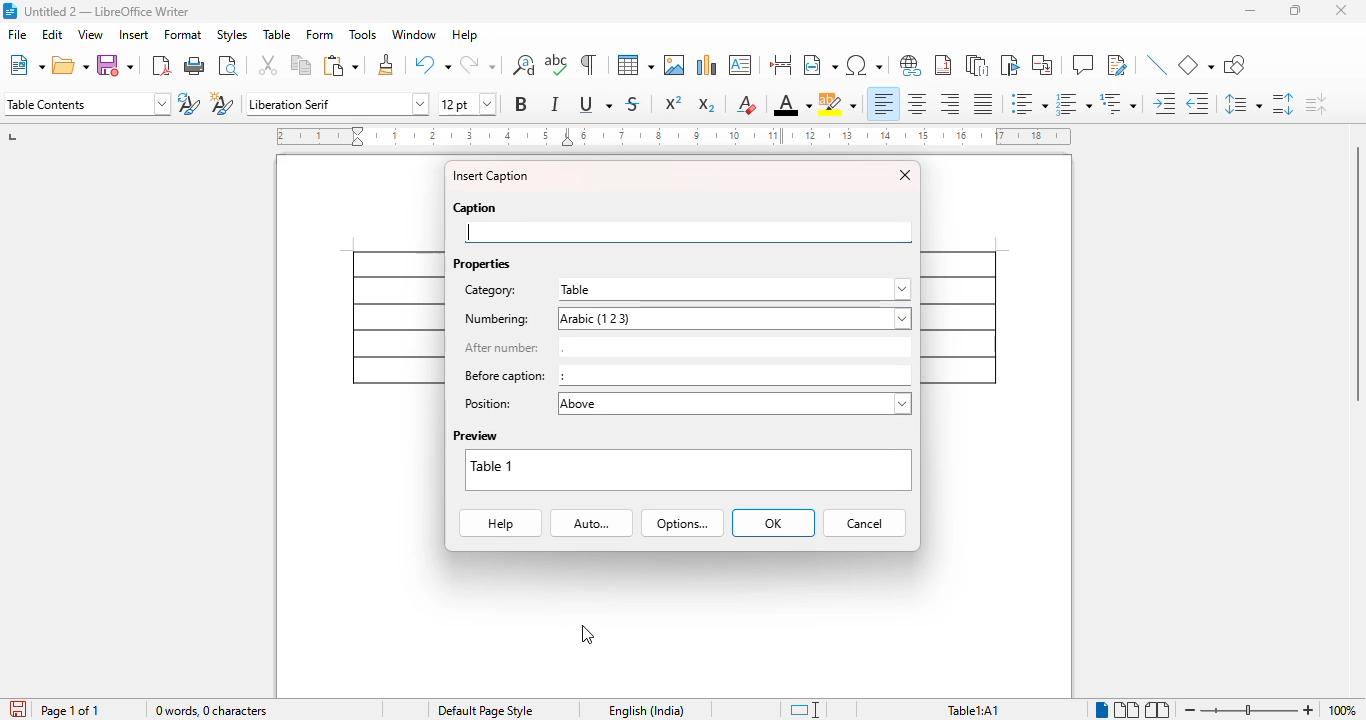 This screenshot has height=720, width=1366. What do you see at coordinates (587, 635) in the screenshot?
I see `cursor` at bounding box center [587, 635].